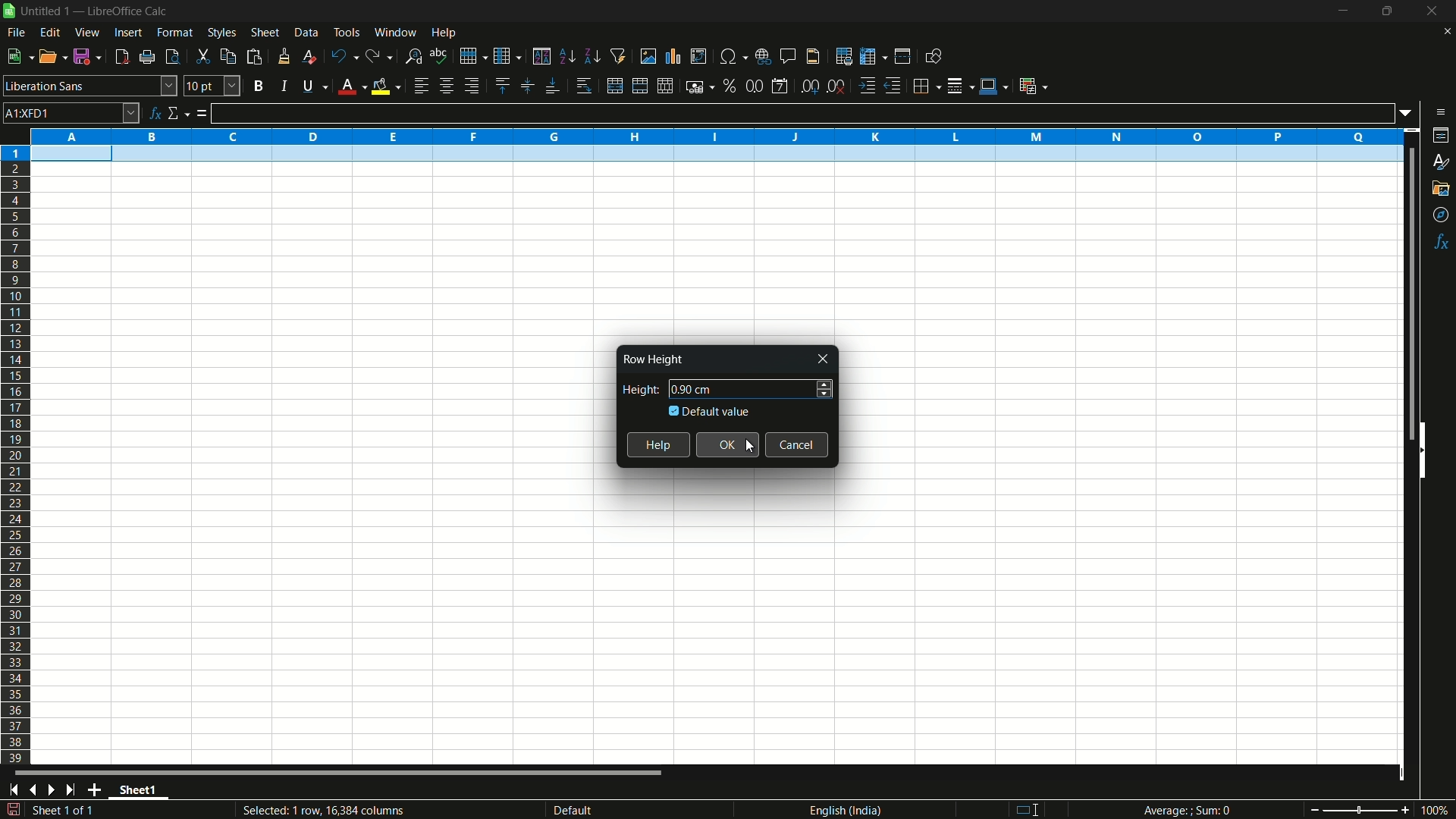 This screenshot has width=1456, height=819. Describe the element at coordinates (71, 112) in the screenshot. I see `cell name` at that location.